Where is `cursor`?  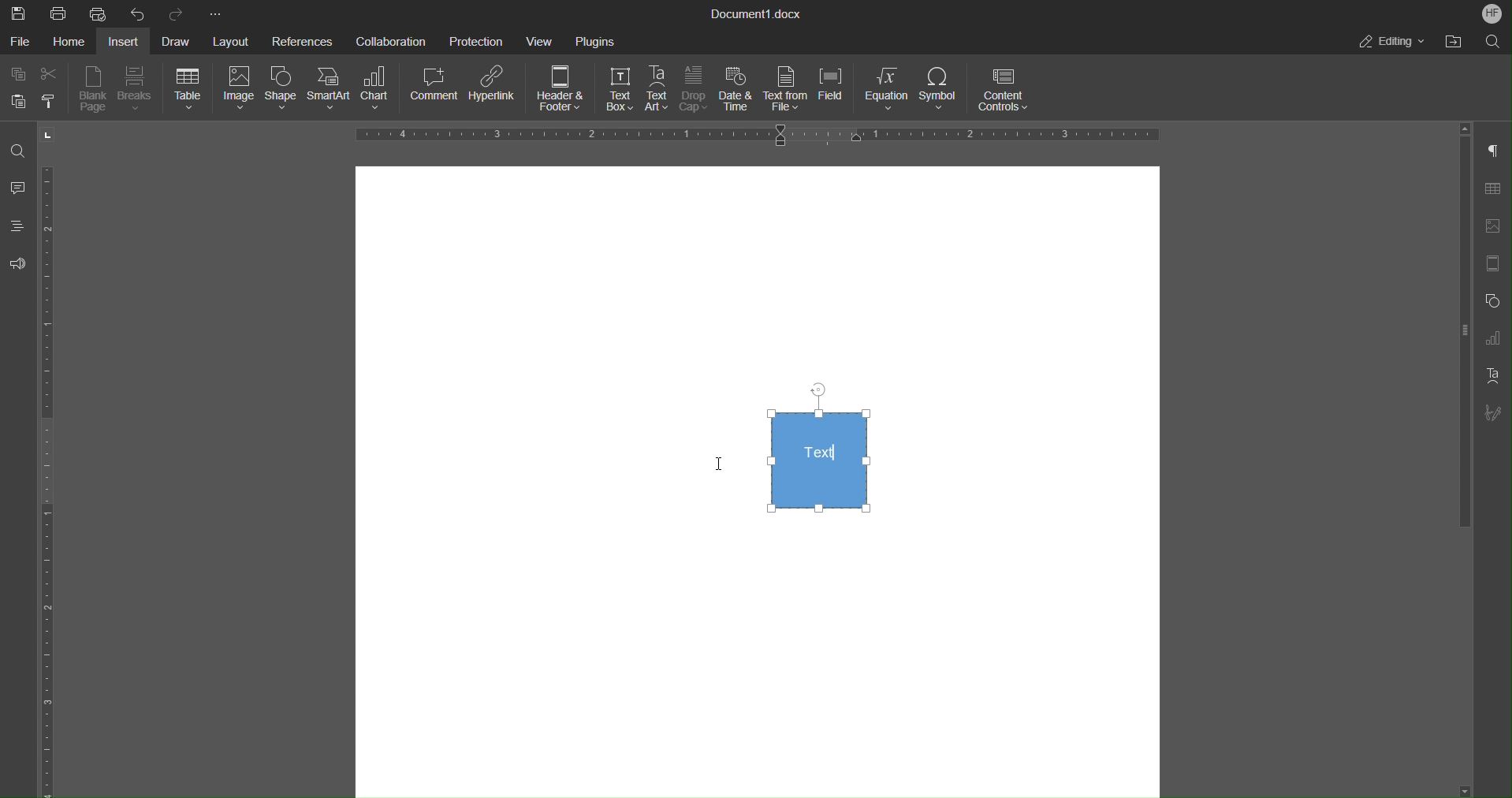
cursor is located at coordinates (723, 468).